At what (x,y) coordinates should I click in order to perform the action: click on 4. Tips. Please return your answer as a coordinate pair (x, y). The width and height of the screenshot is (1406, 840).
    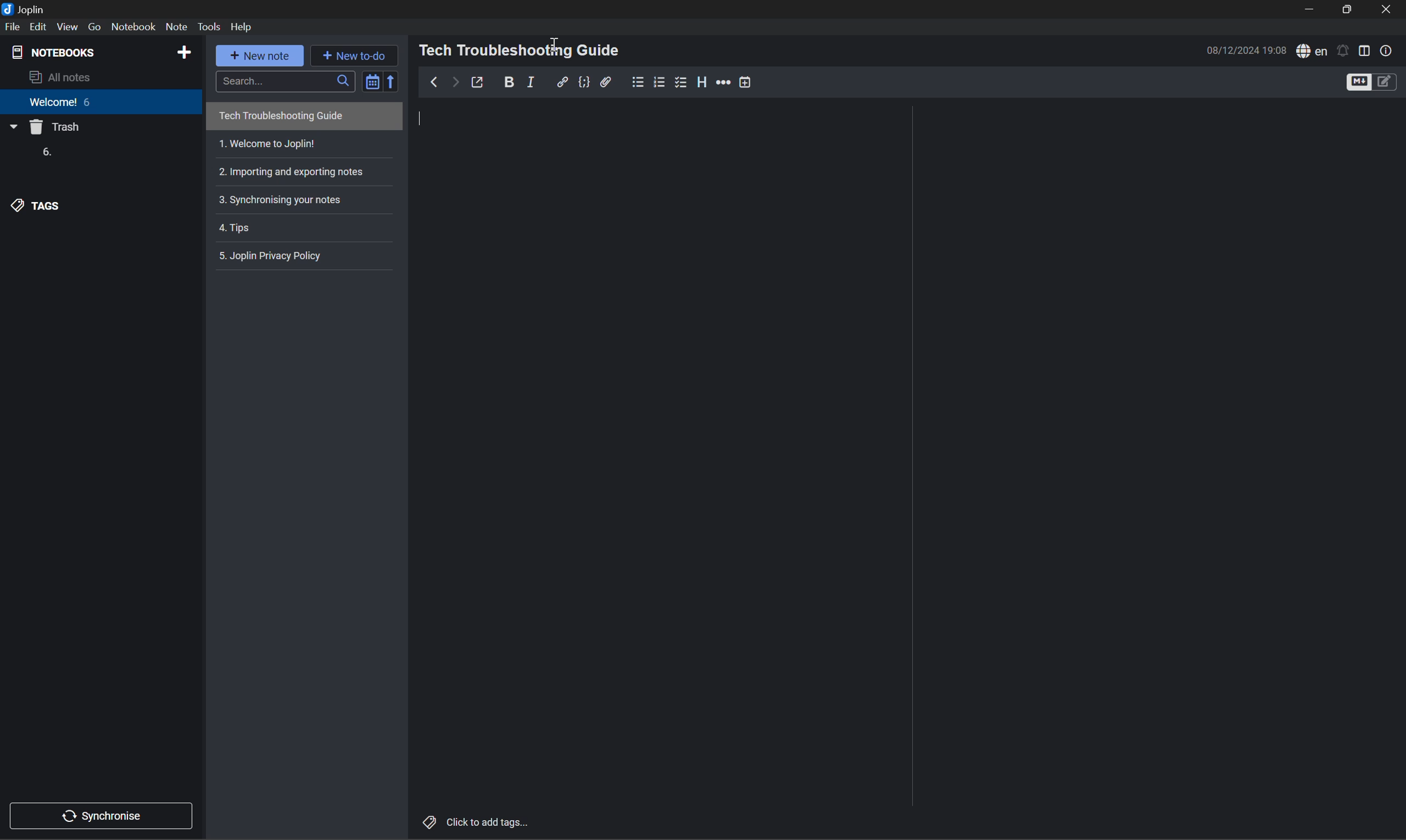
    Looking at the image, I should click on (239, 229).